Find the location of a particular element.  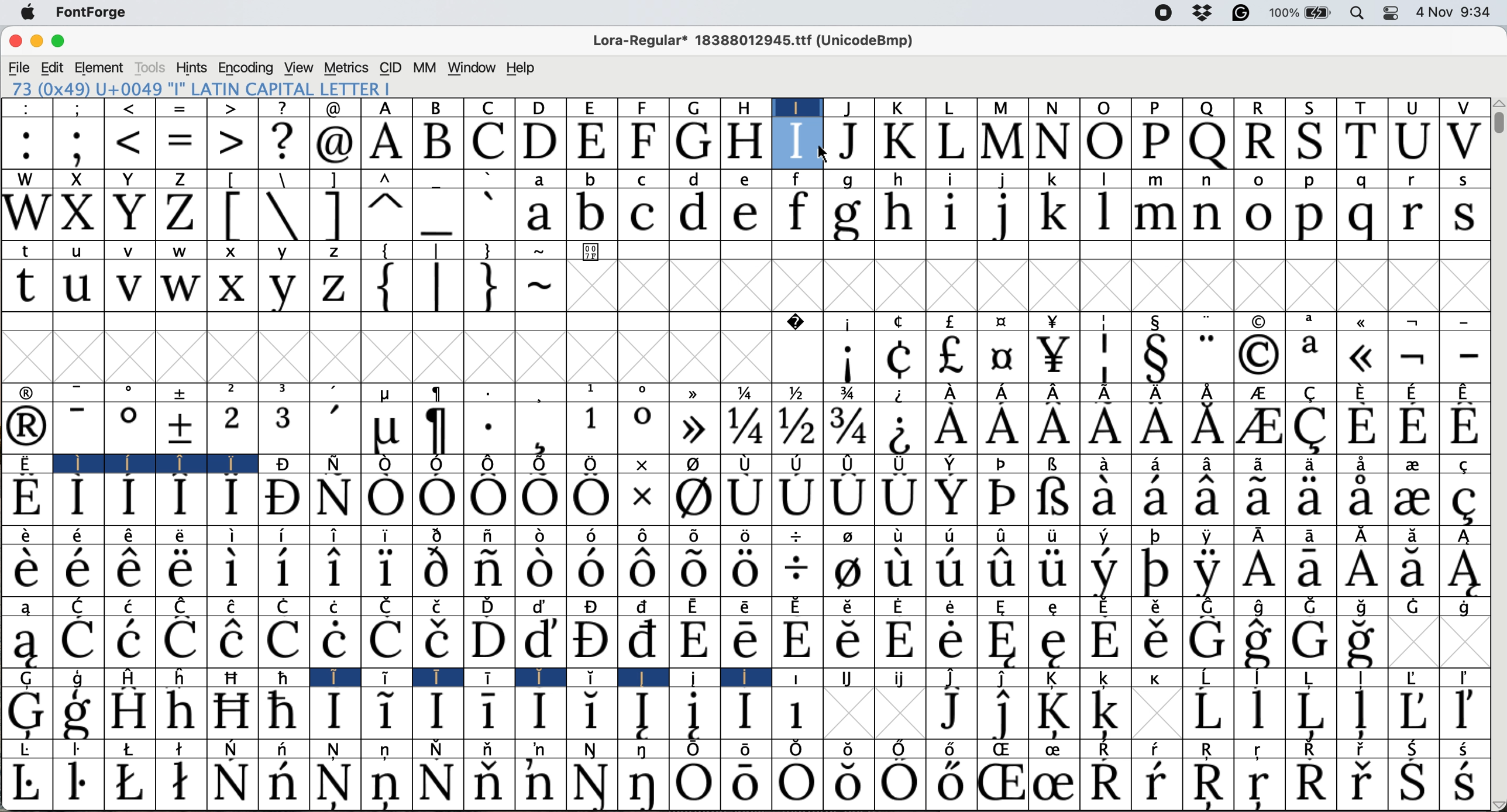

Symbol is located at coordinates (796, 749).